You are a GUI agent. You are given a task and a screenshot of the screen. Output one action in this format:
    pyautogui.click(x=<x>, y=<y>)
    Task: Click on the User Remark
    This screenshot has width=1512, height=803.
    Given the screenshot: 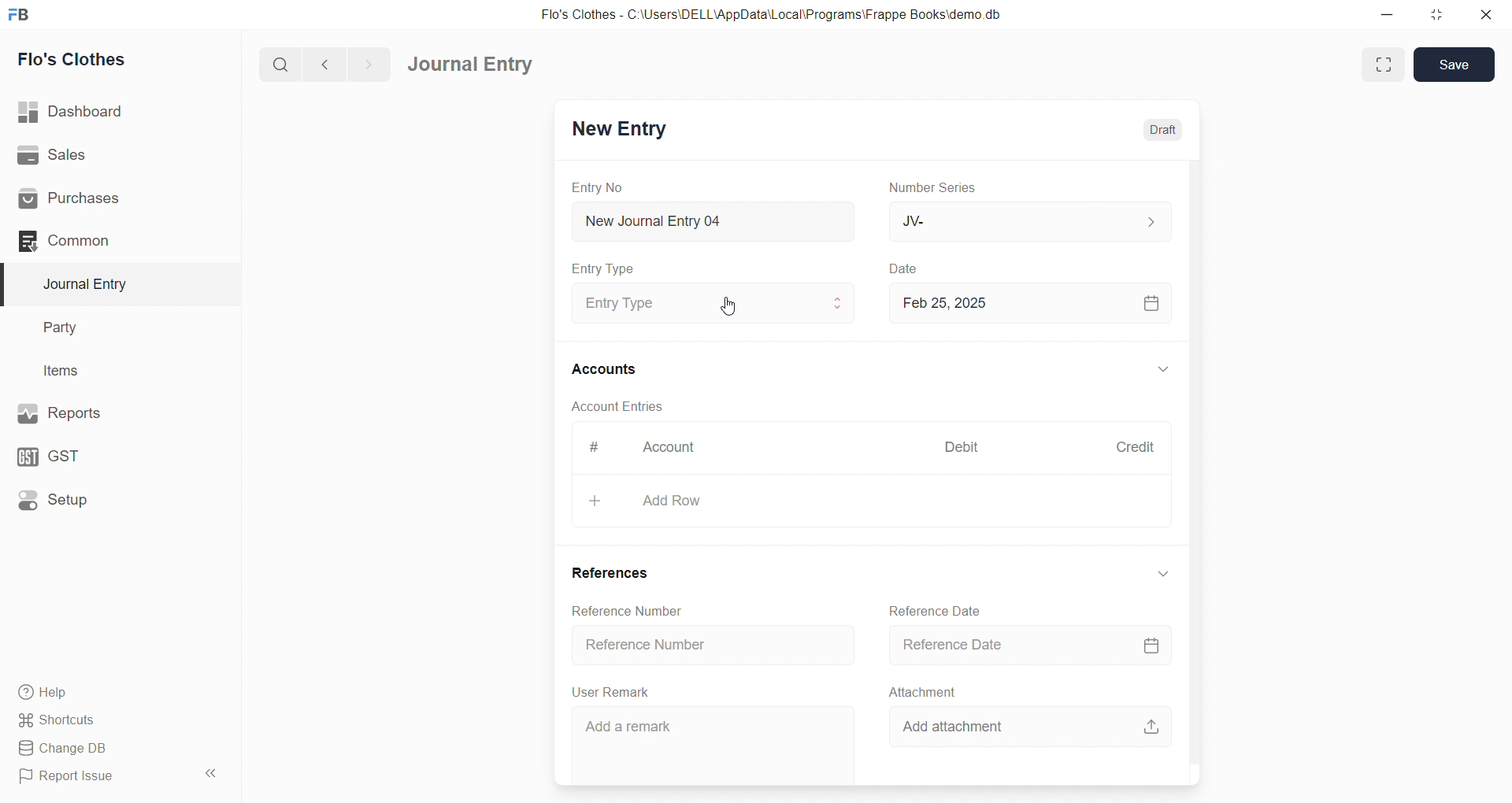 What is the action you would take?
    pyautogui.click(x=614, y=691)
    